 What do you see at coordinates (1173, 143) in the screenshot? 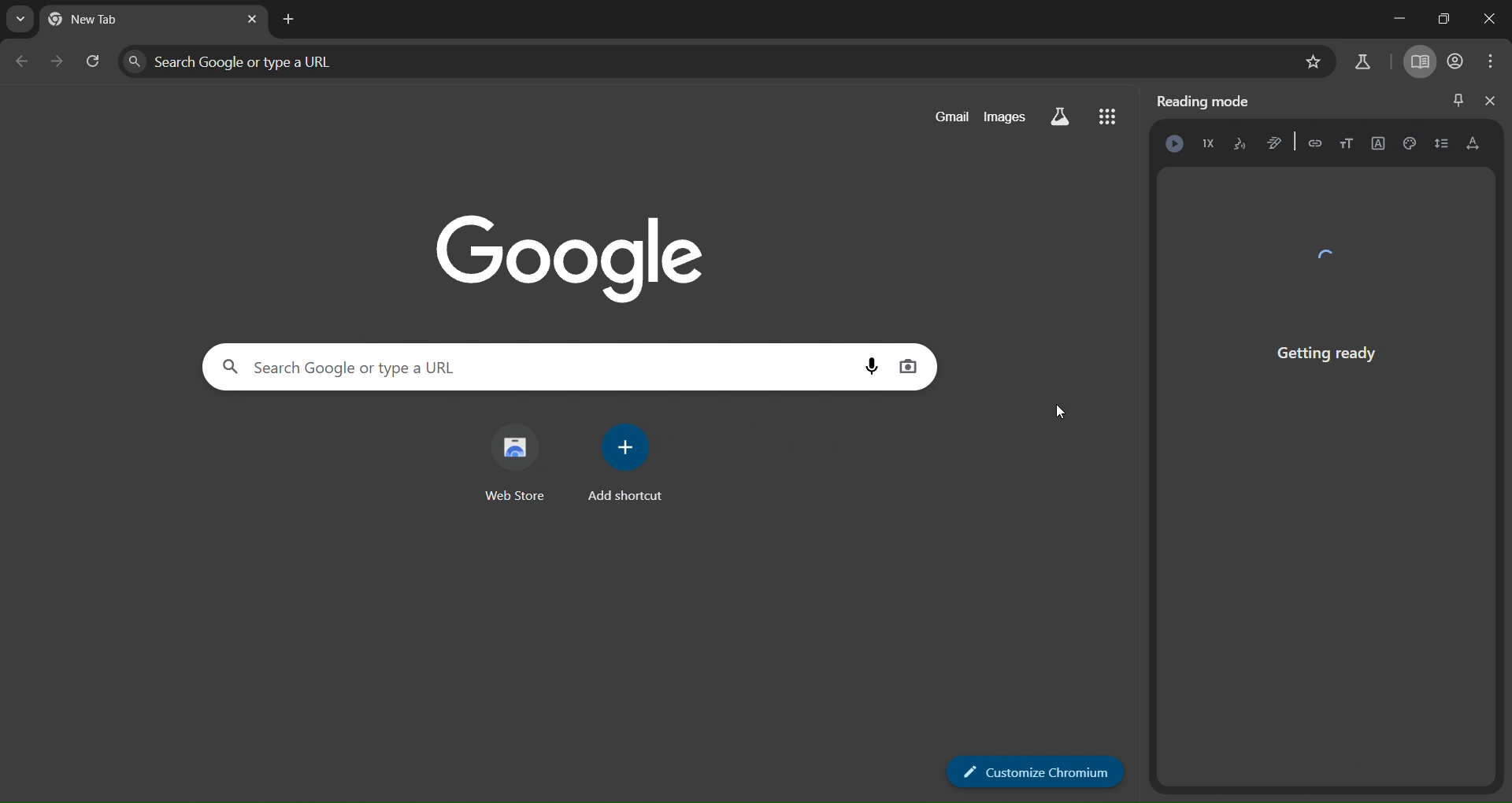
I see `icon` at bounding box center [1173, 143].